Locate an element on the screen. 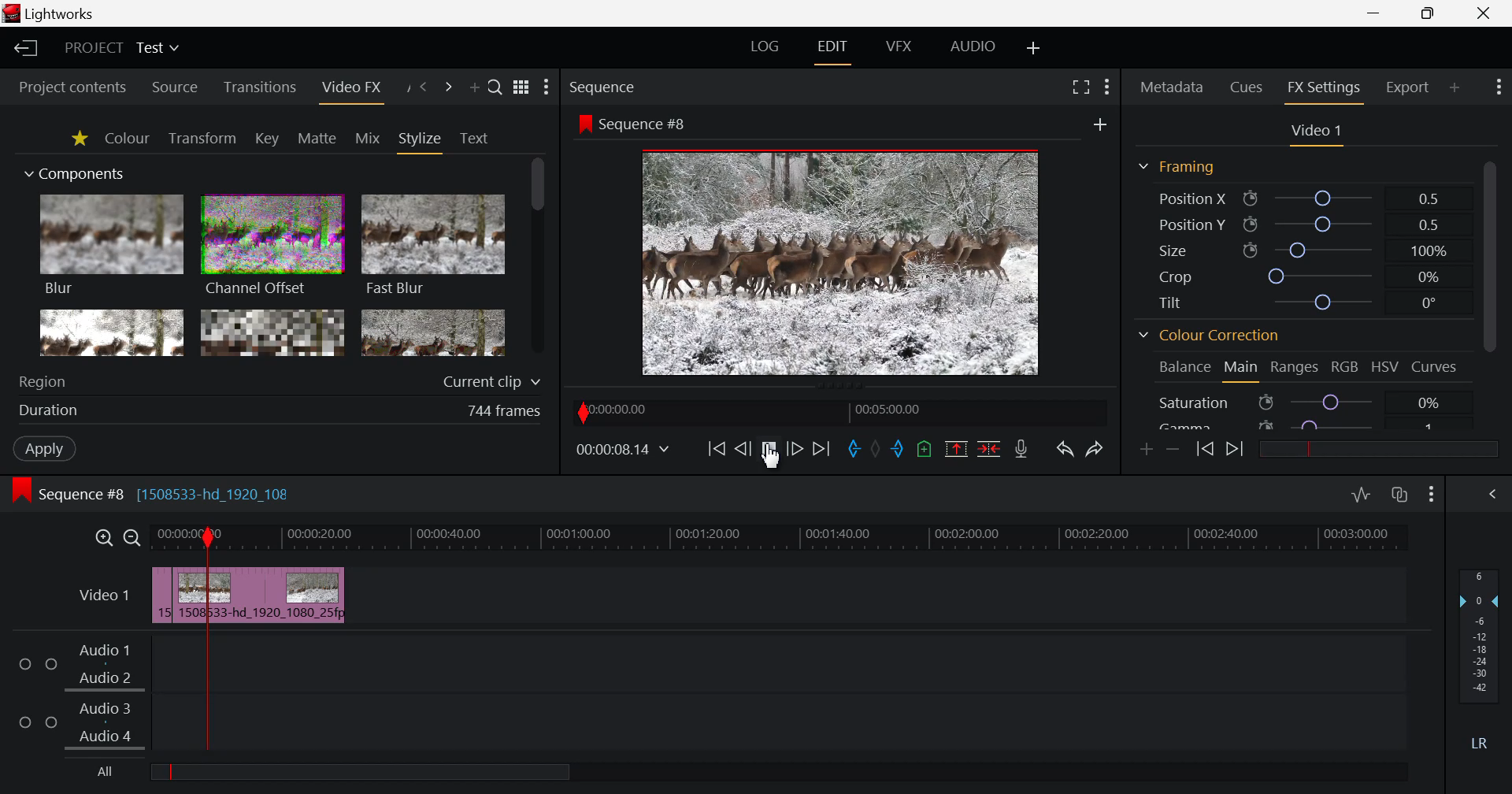 This screenshot has height=794, width=1512. Video FX is located at coordinates (350, 88).